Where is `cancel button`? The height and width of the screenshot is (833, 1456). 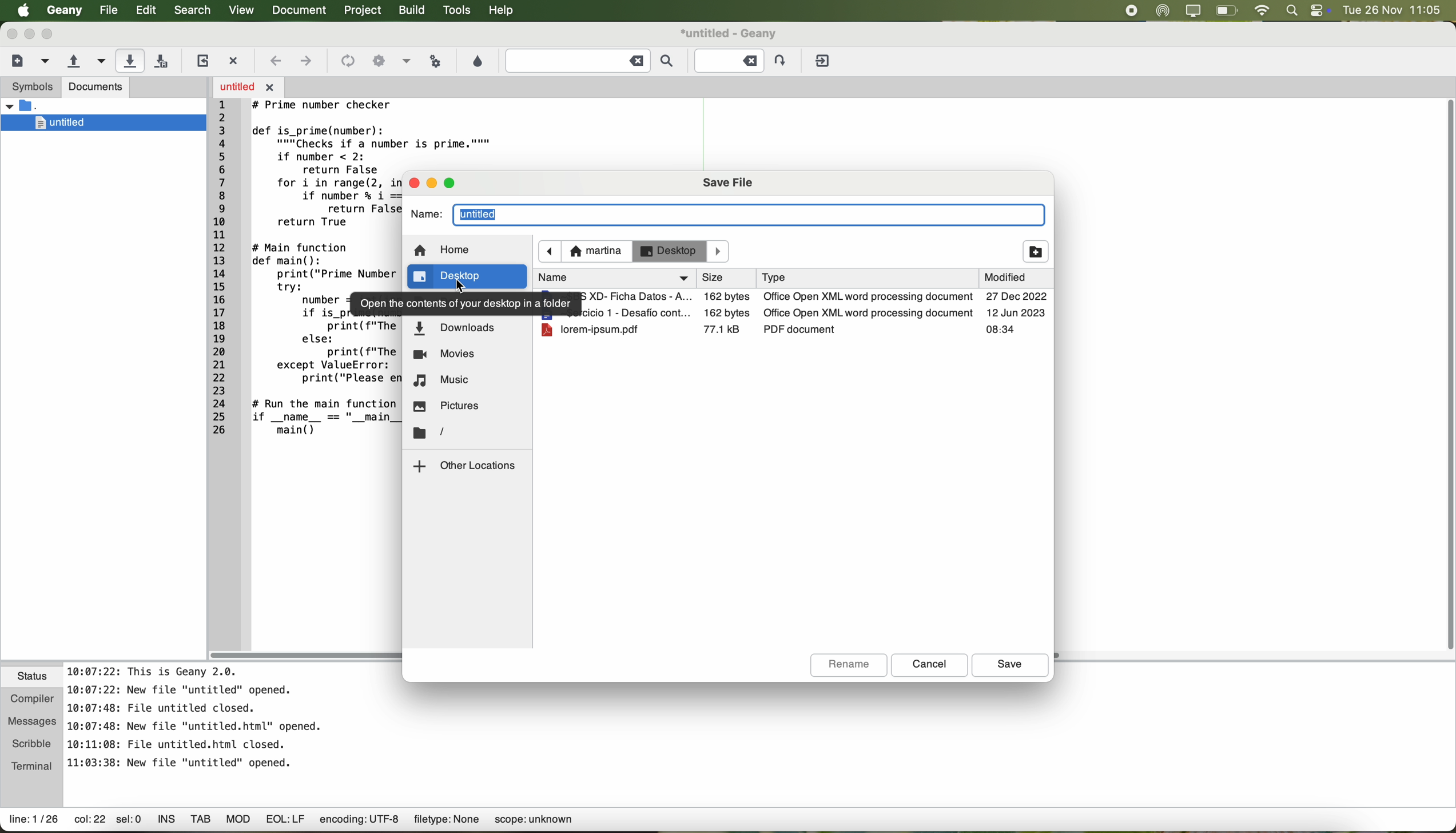 cancel button is located at coordinates (930, 665).